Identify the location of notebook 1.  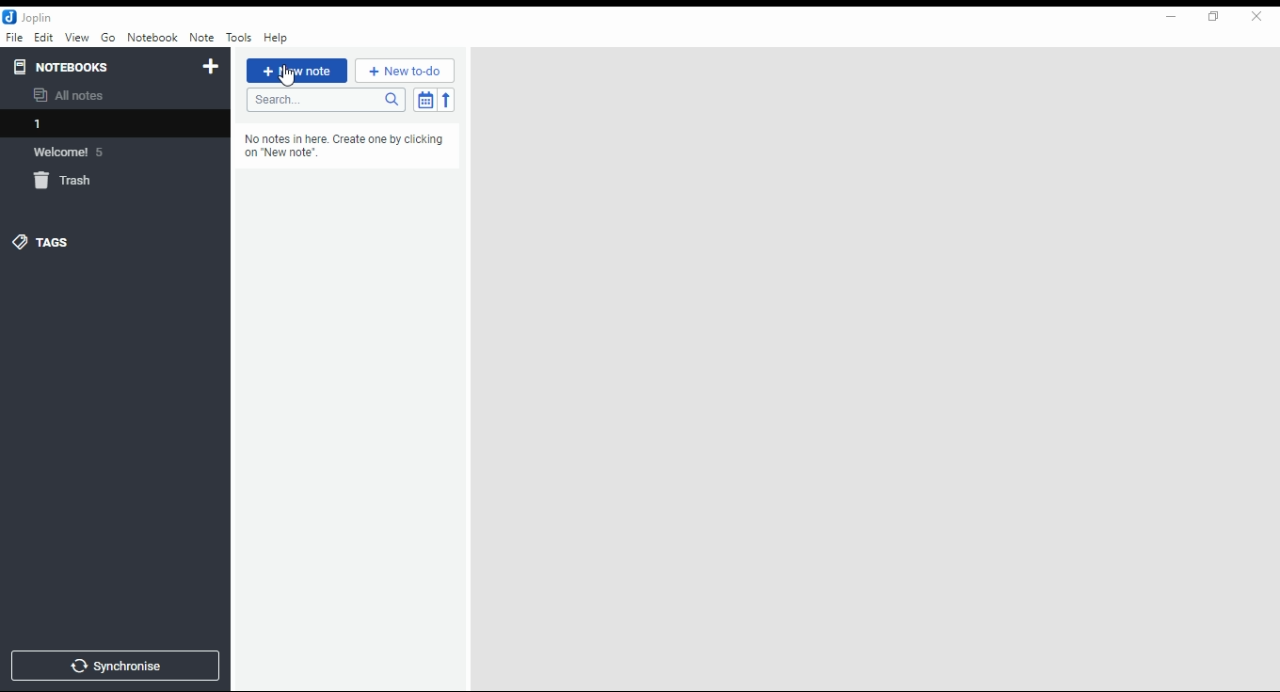
(84, 123).